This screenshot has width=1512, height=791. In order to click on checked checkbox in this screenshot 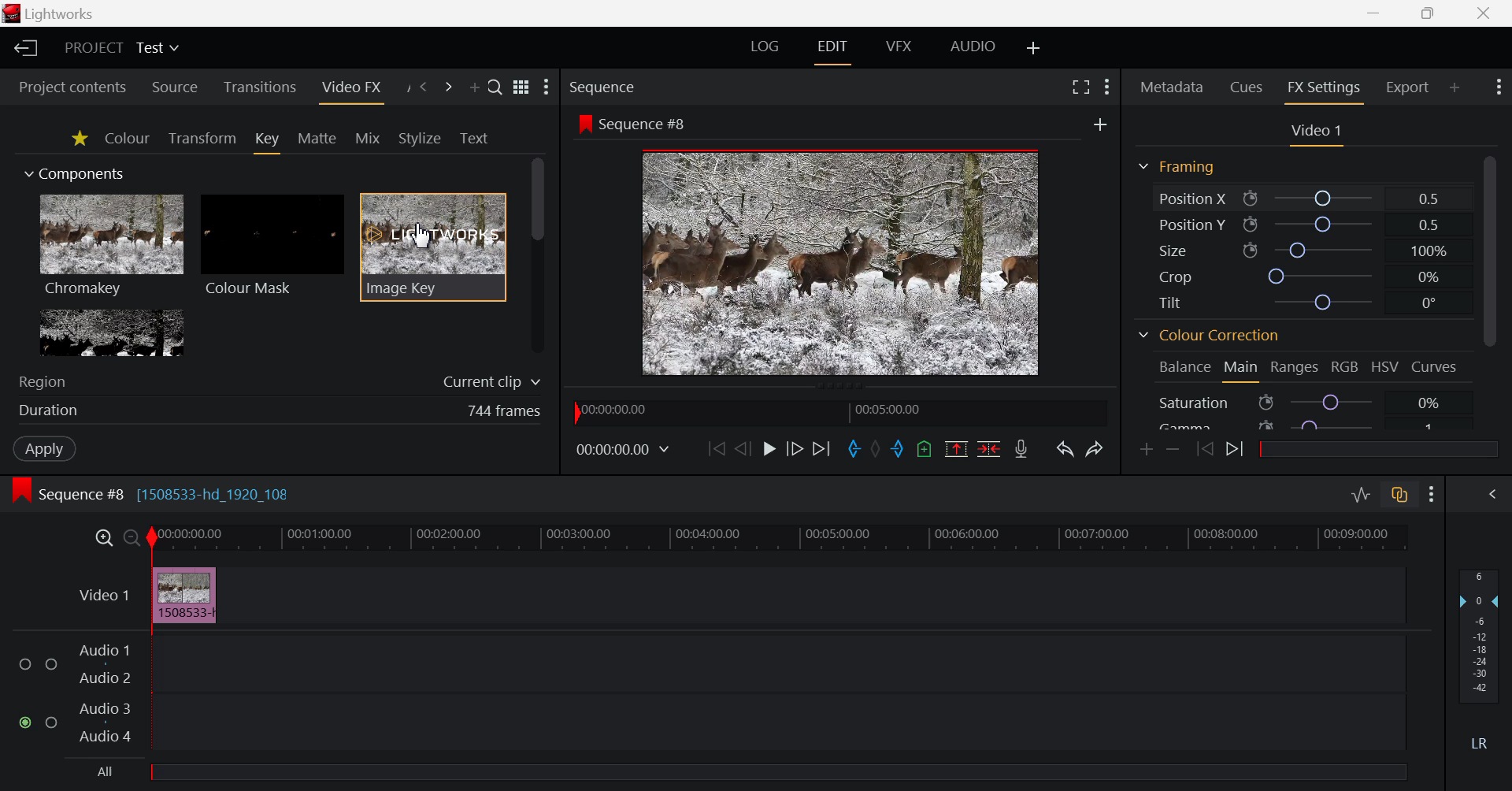, I will do `click(26, 722)`.